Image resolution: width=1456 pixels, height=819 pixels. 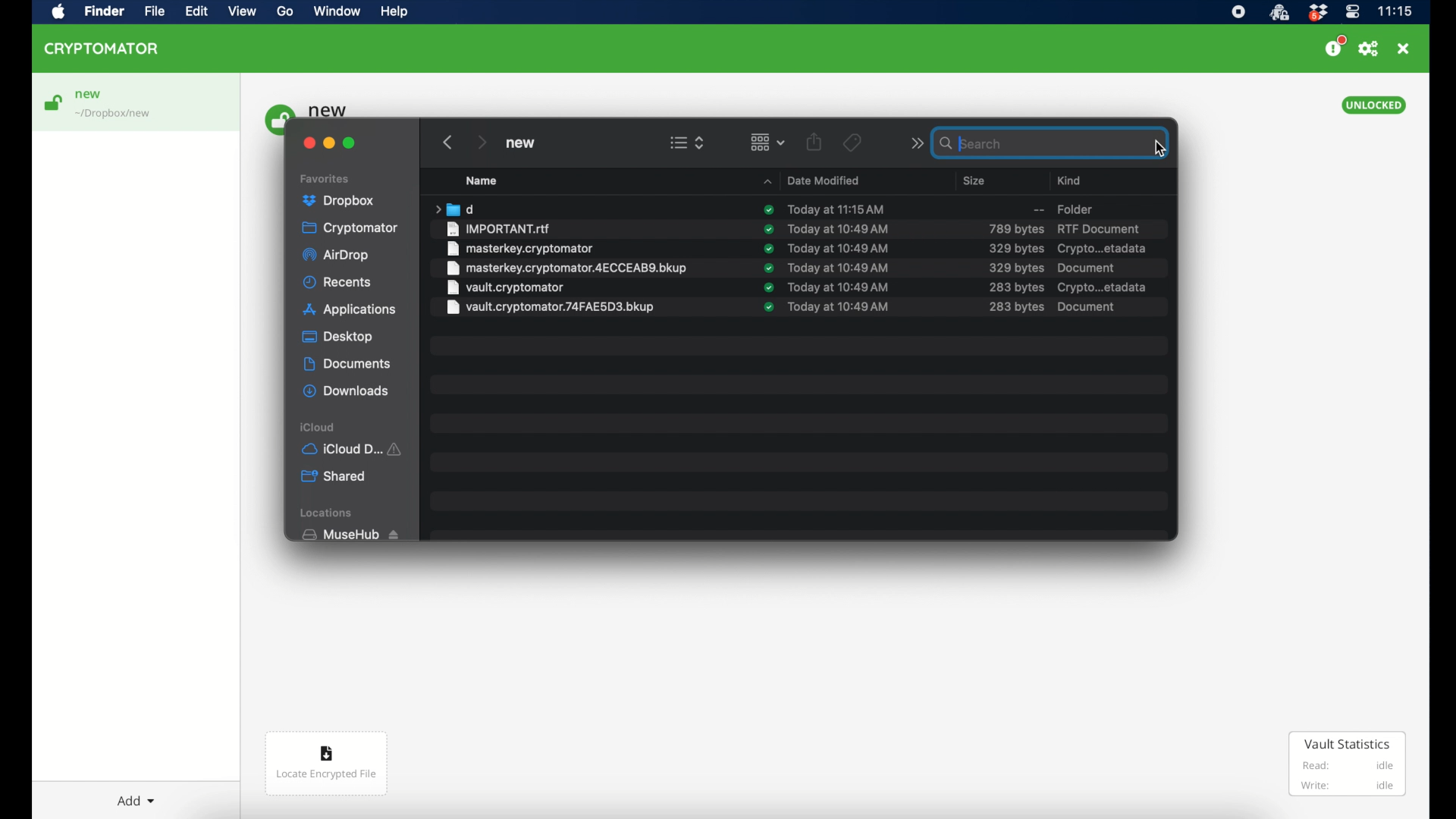 What do you see at coordinates (1238, 12) in the screenshot?
I see `screen recorder music` at bounding box center [1238, 12].